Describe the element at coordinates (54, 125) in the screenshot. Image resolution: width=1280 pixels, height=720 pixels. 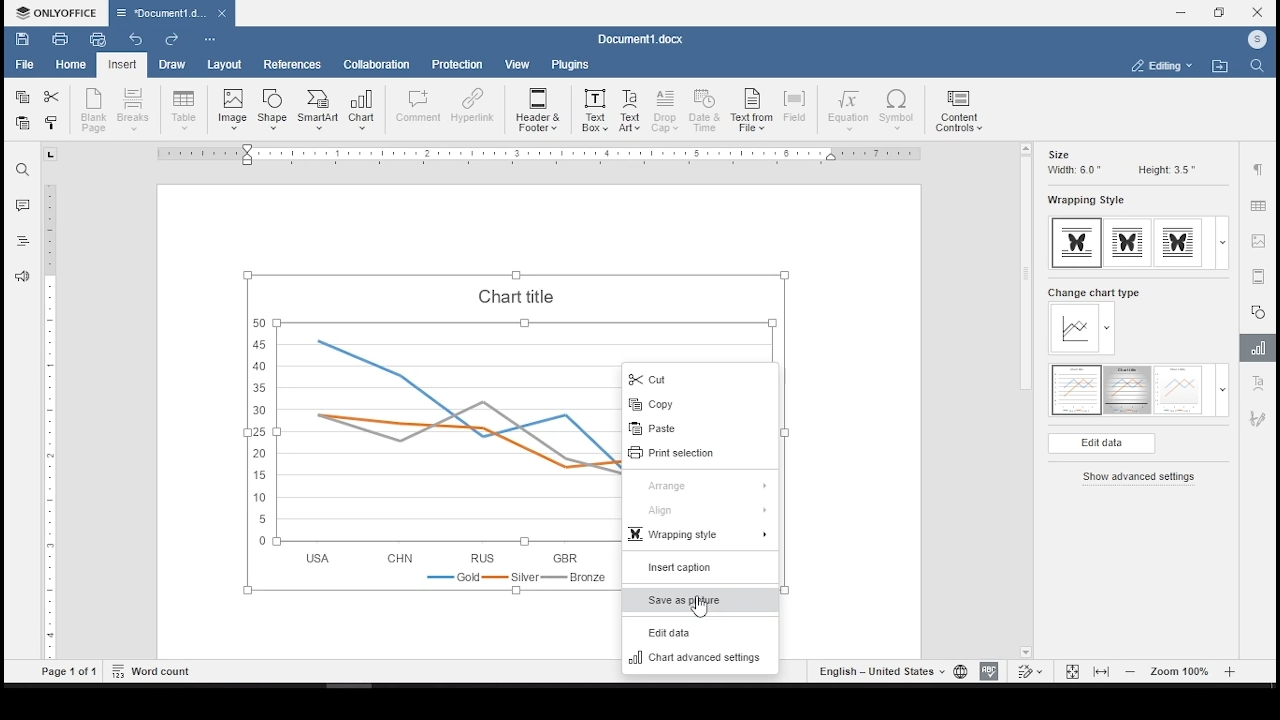
I see `close style` at that location.